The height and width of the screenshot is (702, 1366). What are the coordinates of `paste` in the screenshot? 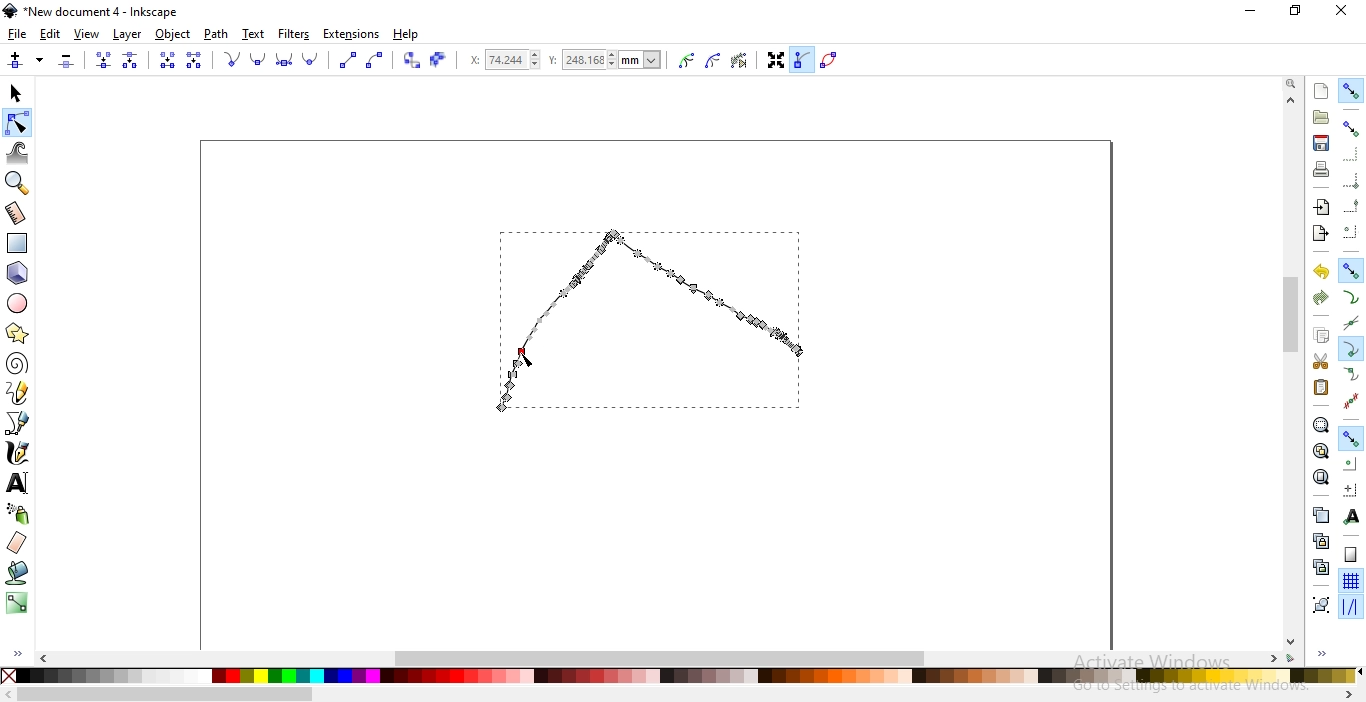 It's located at (1320, 387).